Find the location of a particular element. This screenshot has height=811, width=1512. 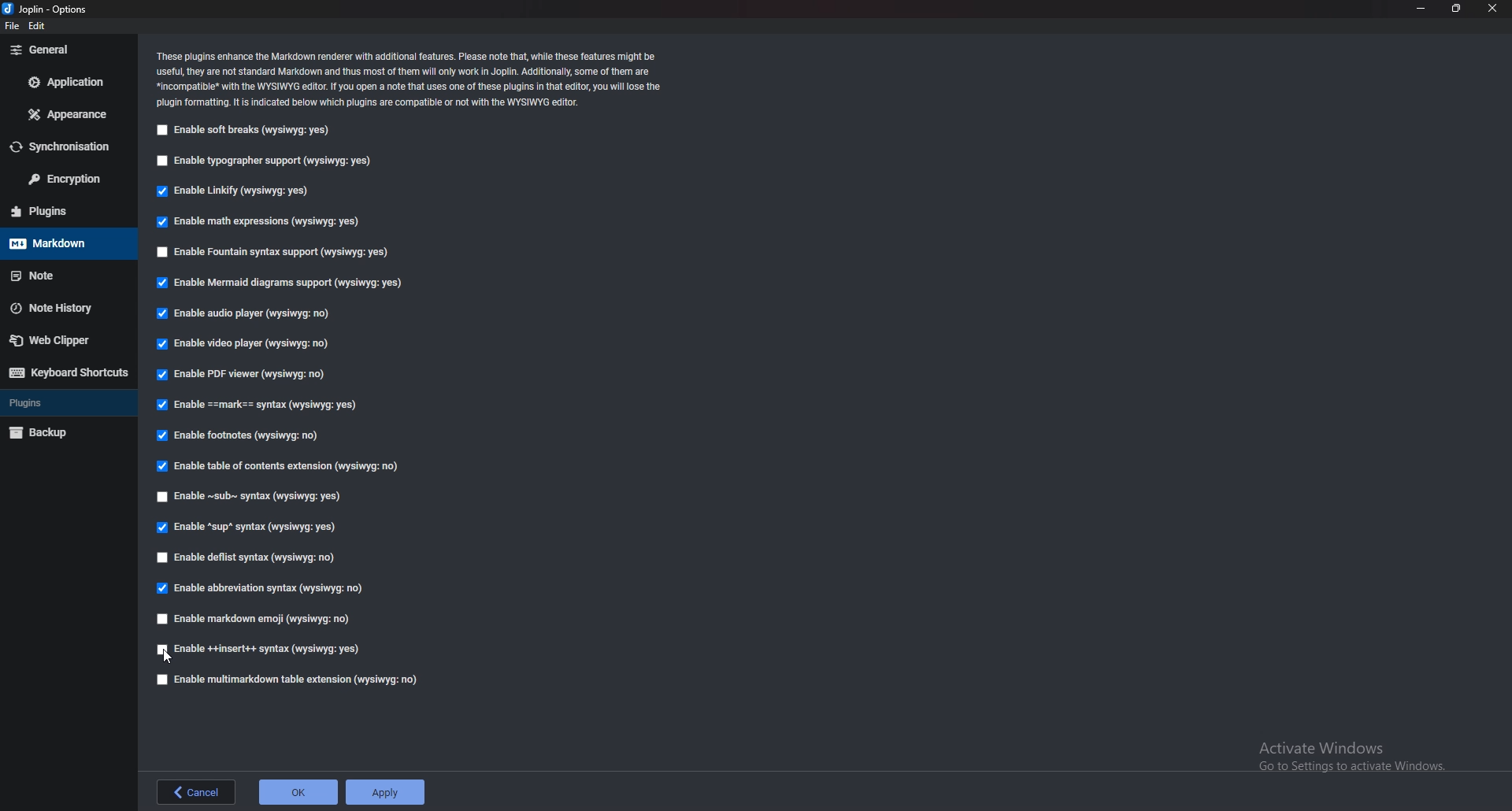

markdown is located at coordinates (69, 243).